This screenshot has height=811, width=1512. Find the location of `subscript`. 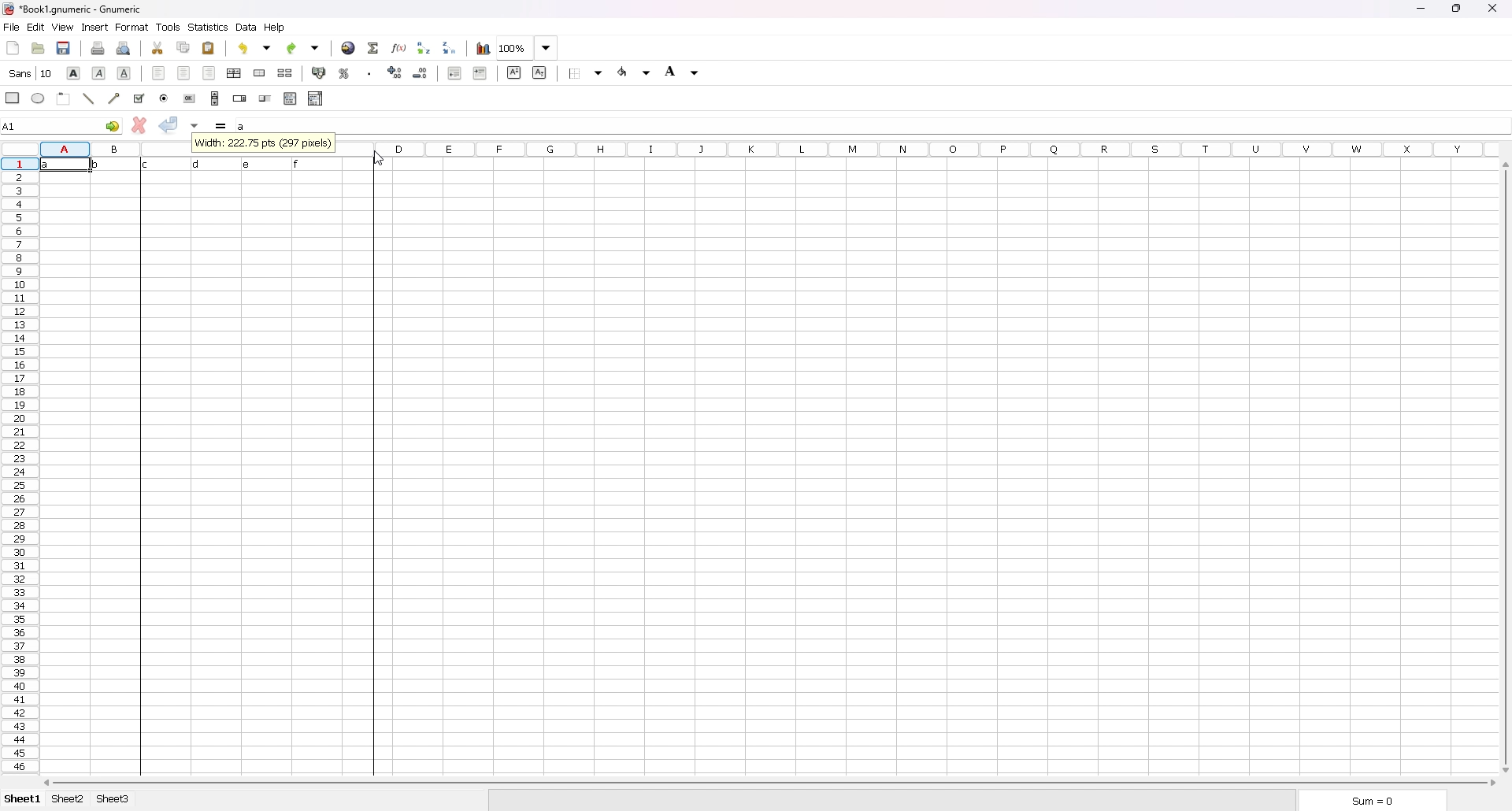

subscript is located at coordinates (539, 72).